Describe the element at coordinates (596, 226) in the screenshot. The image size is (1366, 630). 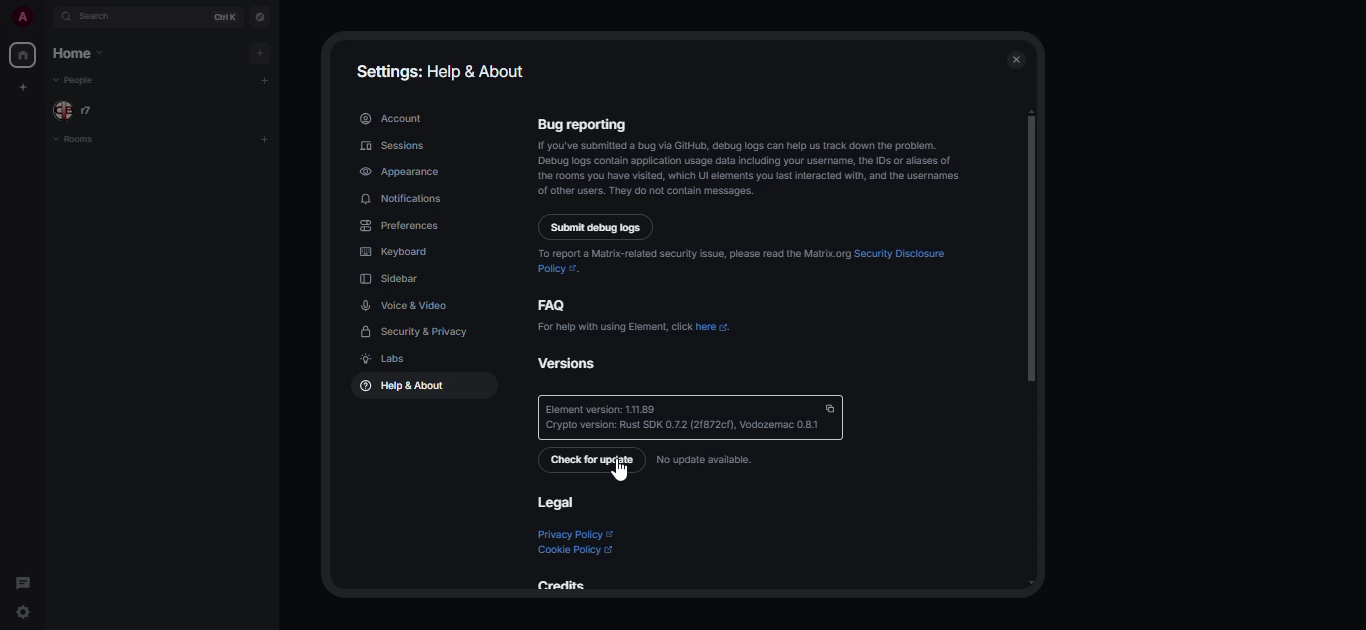
I see `submit debug logs` at that location.